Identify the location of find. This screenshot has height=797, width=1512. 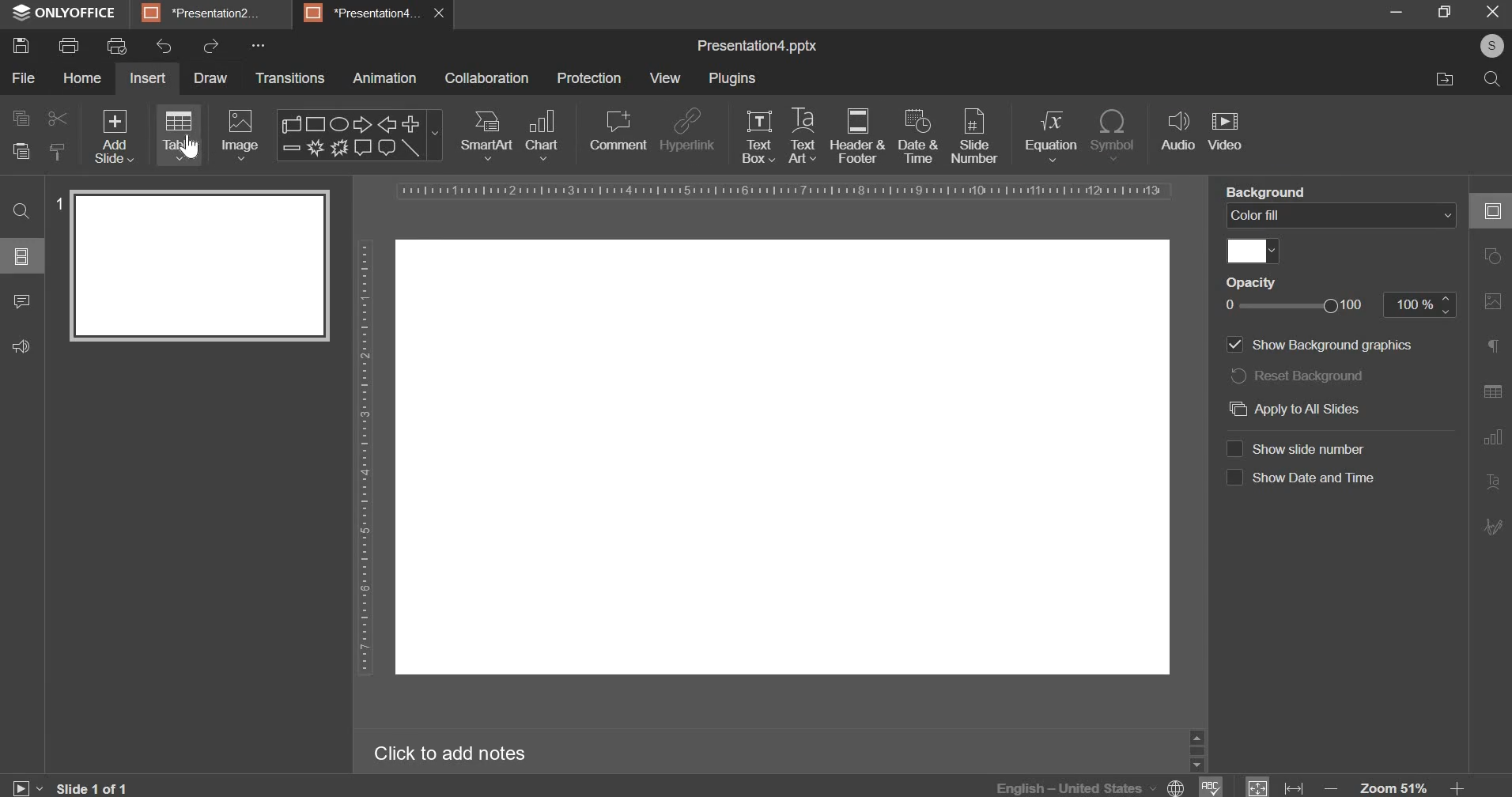
(23, 211).